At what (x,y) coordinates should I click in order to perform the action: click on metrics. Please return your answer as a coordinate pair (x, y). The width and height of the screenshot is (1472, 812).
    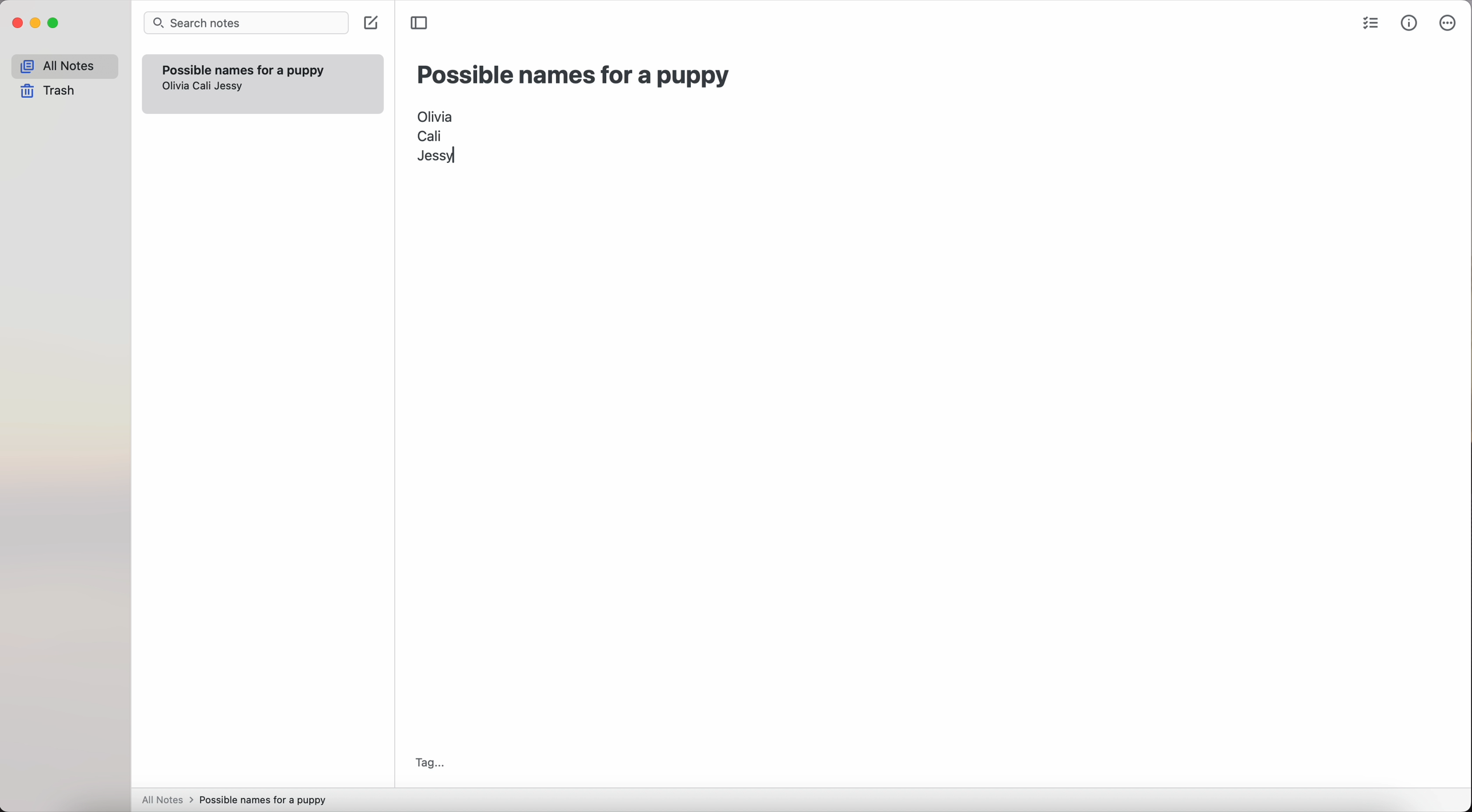
    Looking at the image, I should click on (1410, 23).